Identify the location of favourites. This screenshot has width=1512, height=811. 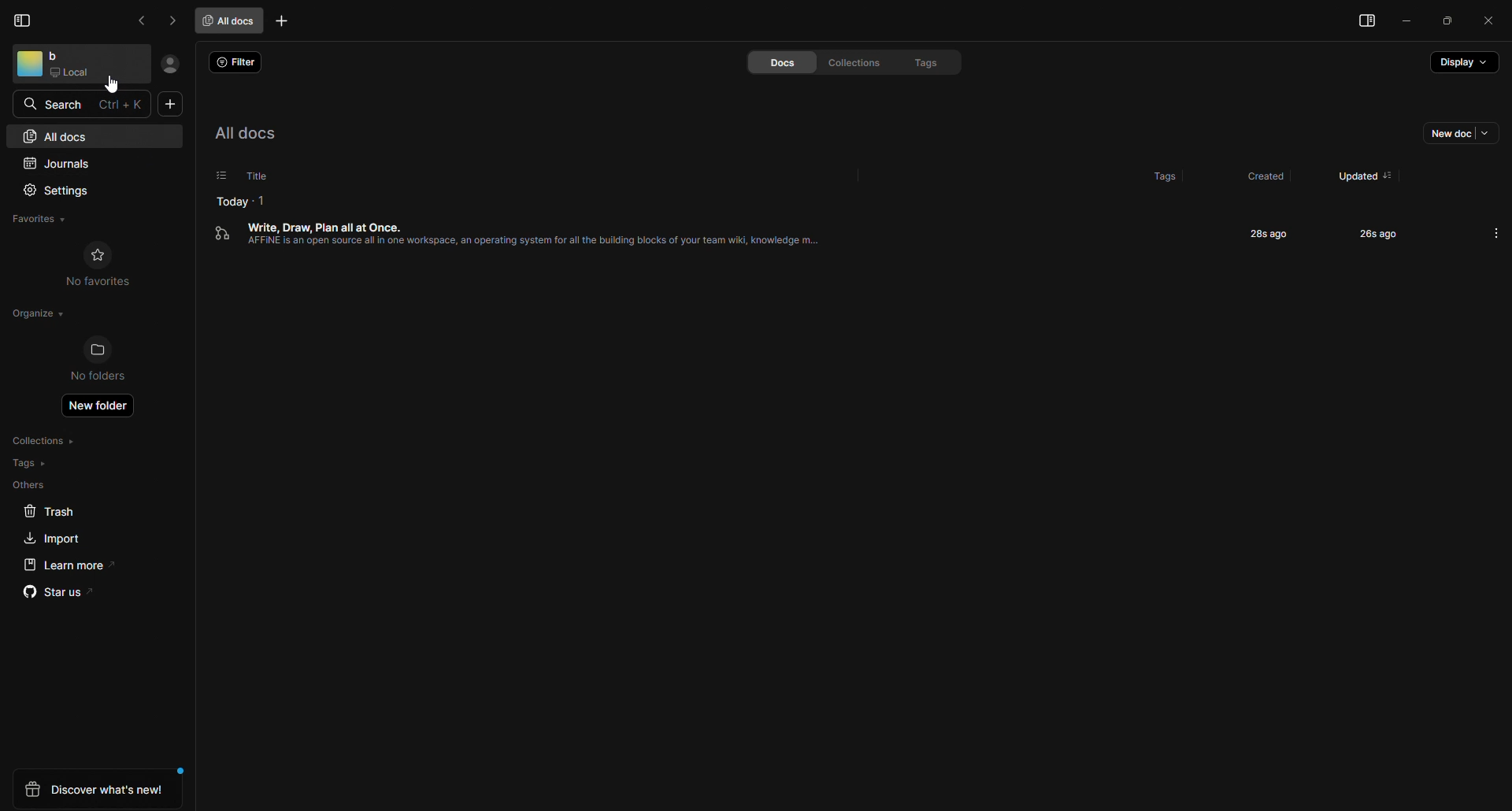
(47, 217).